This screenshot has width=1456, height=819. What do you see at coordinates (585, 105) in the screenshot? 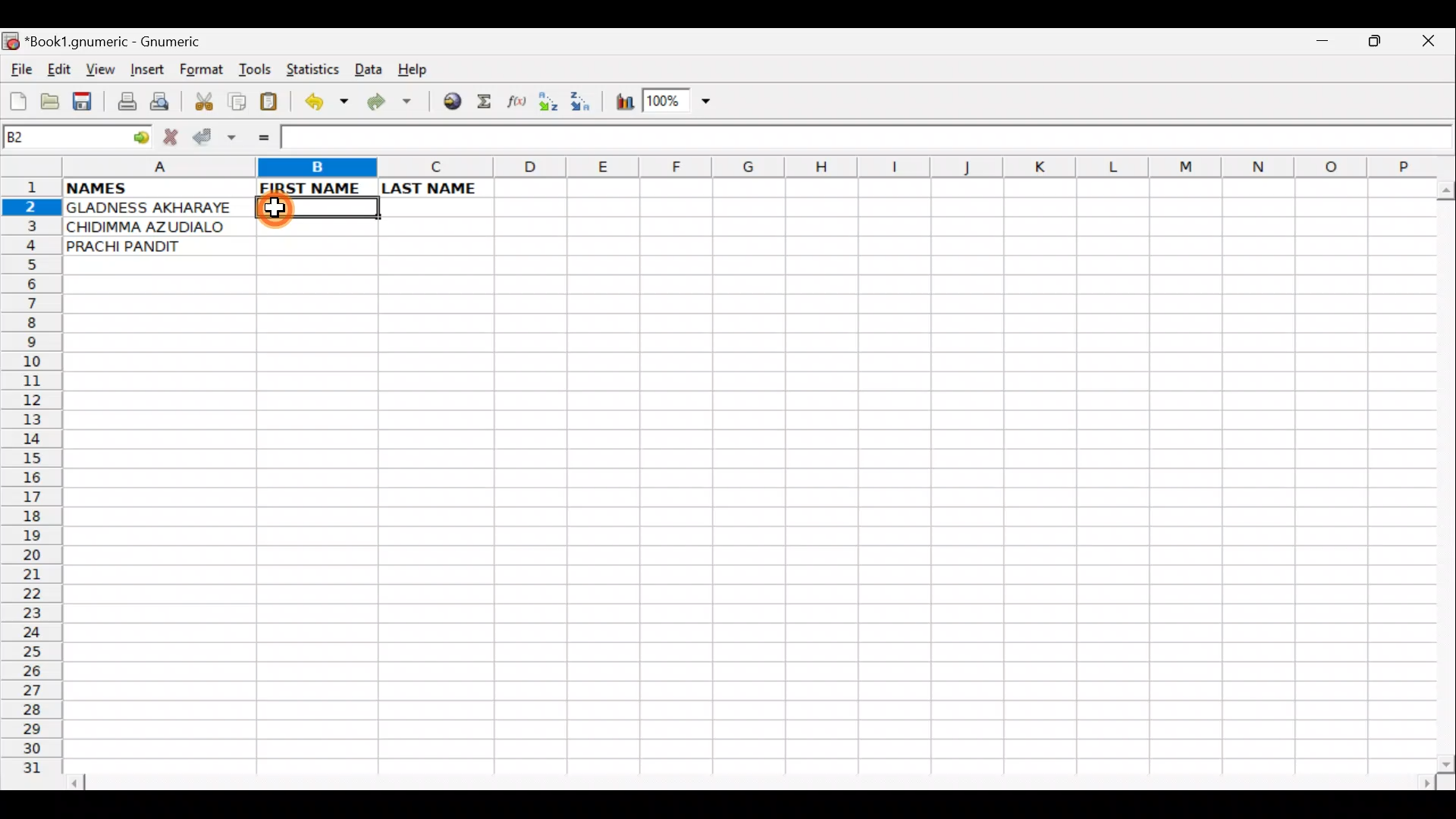
I see `Sort Descending order` at bounding box center [585, 105].